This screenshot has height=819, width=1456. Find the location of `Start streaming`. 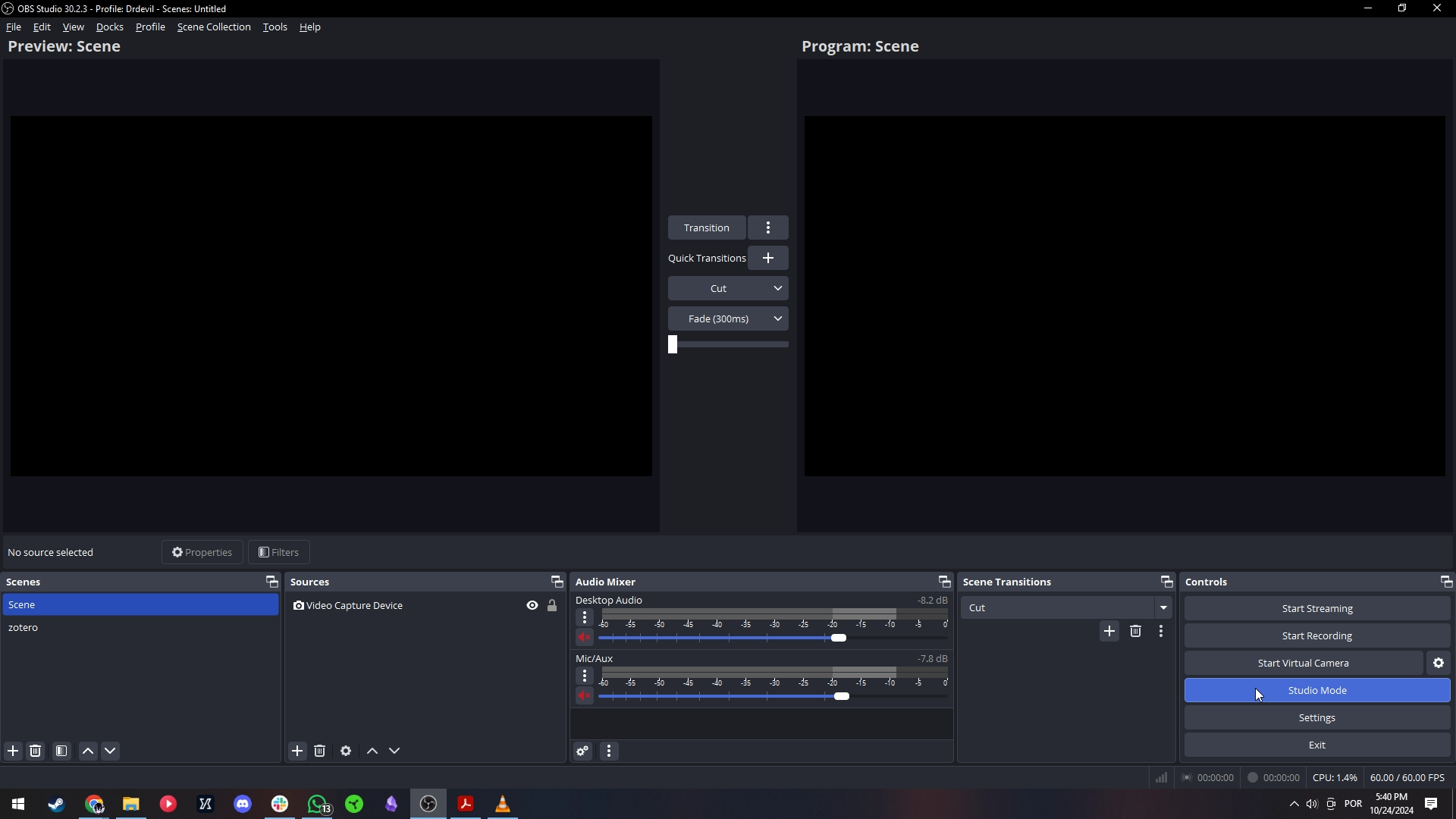

Start streaming is located at coordinates (1317, 608).